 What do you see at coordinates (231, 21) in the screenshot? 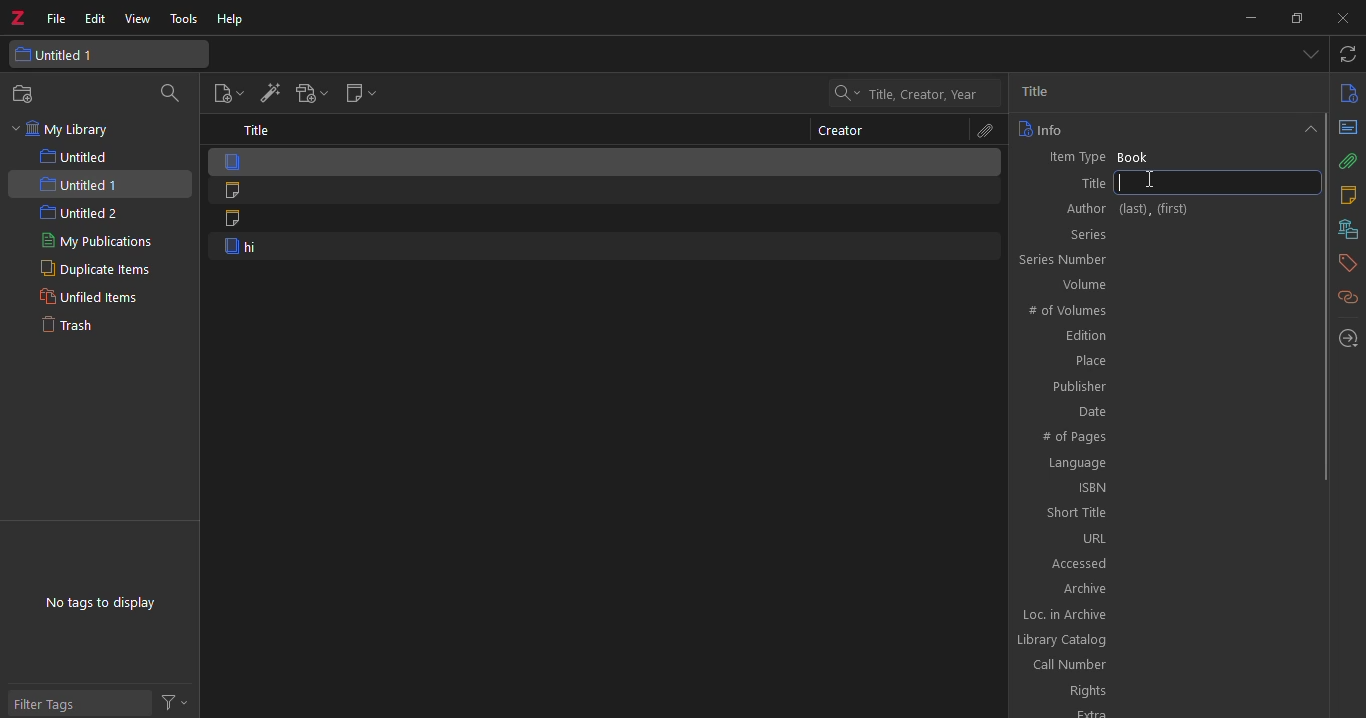
I see `help` at bounding box center [231, 21].